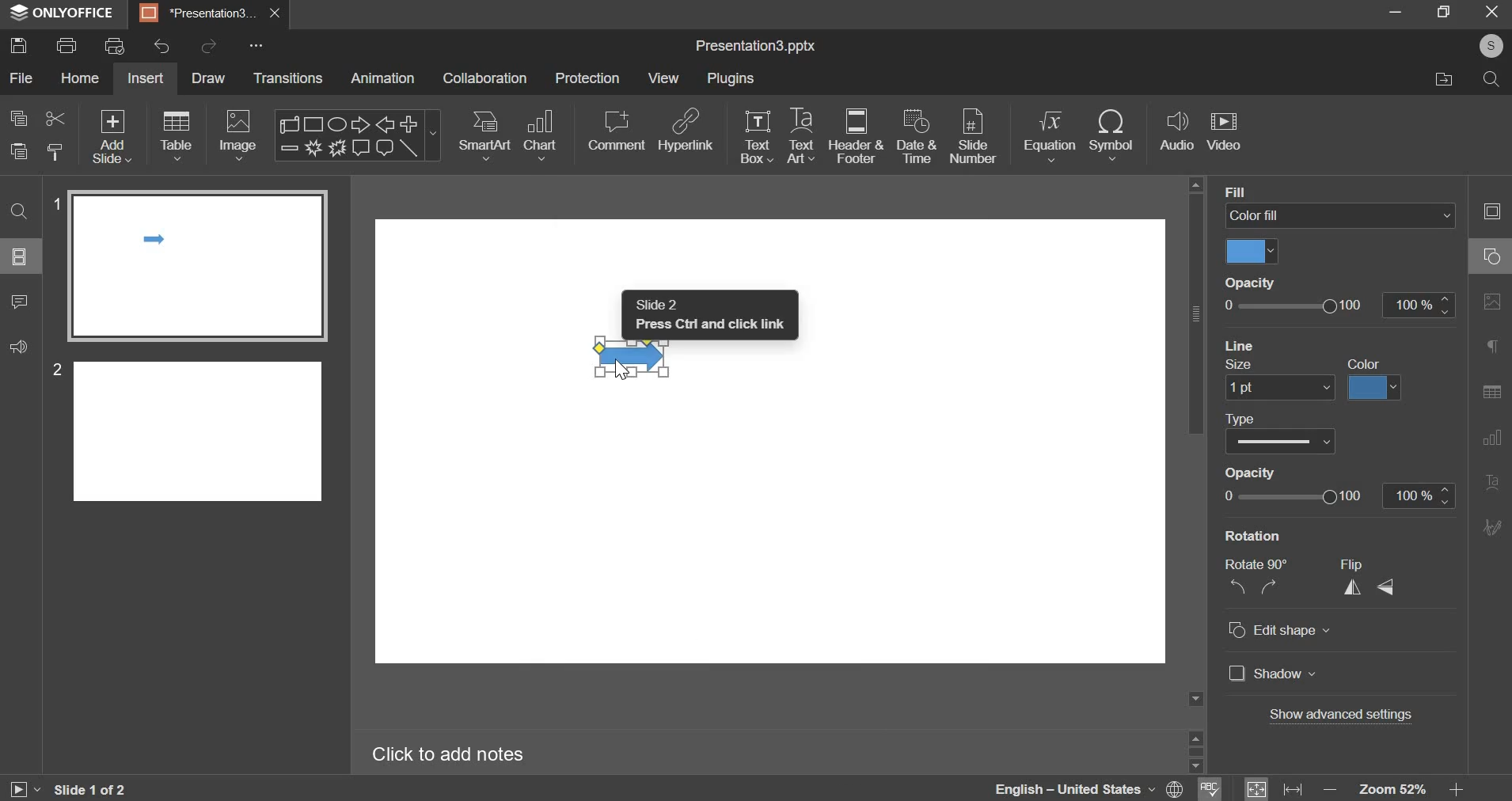 This screenshot has height=801, width=1512. Describe the element at coordinates (1442, 80) in the screenshot. I see `file location` at that location.